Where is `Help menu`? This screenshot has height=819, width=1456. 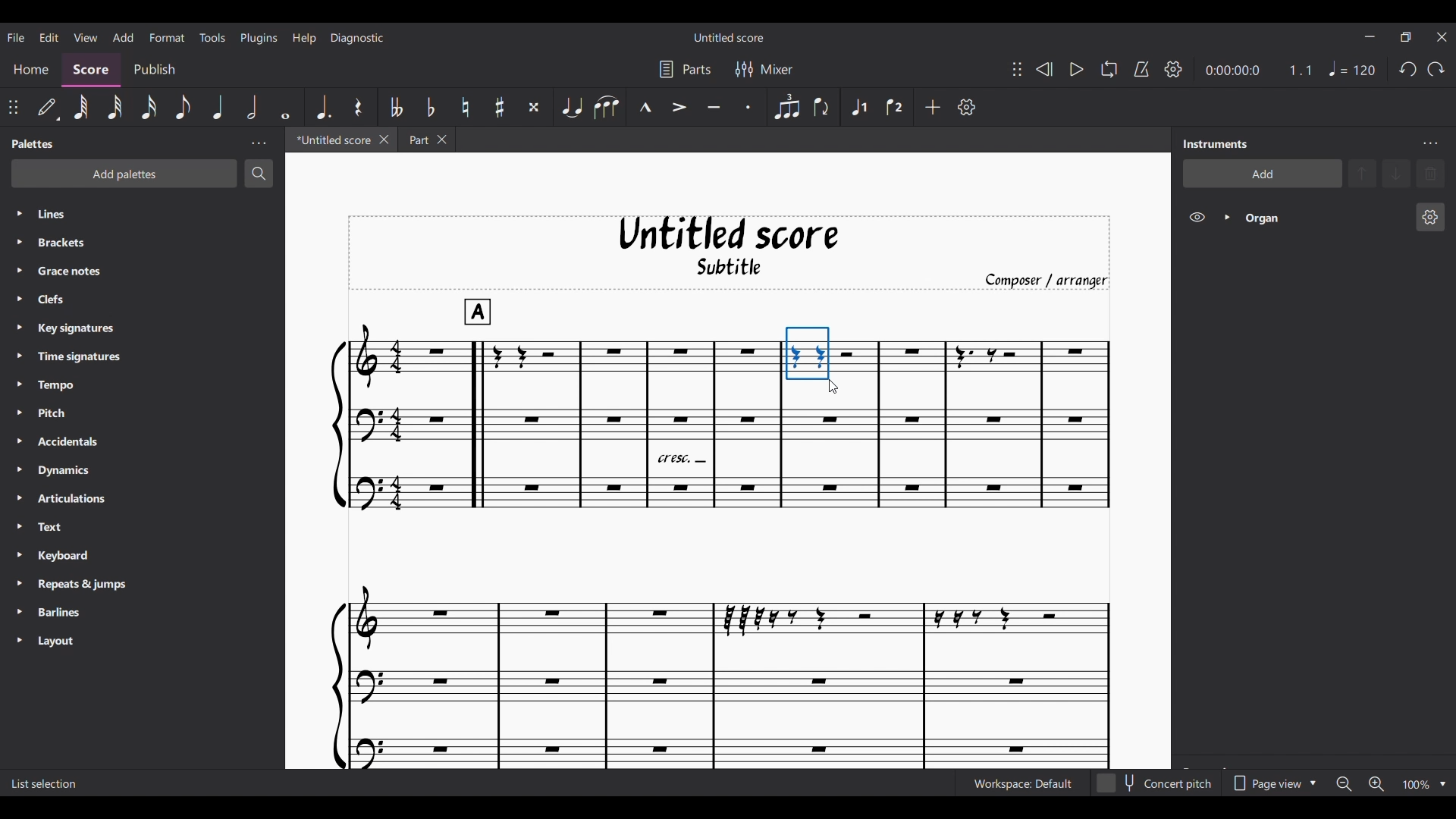
Help menu is located at coordinates (303, 38).